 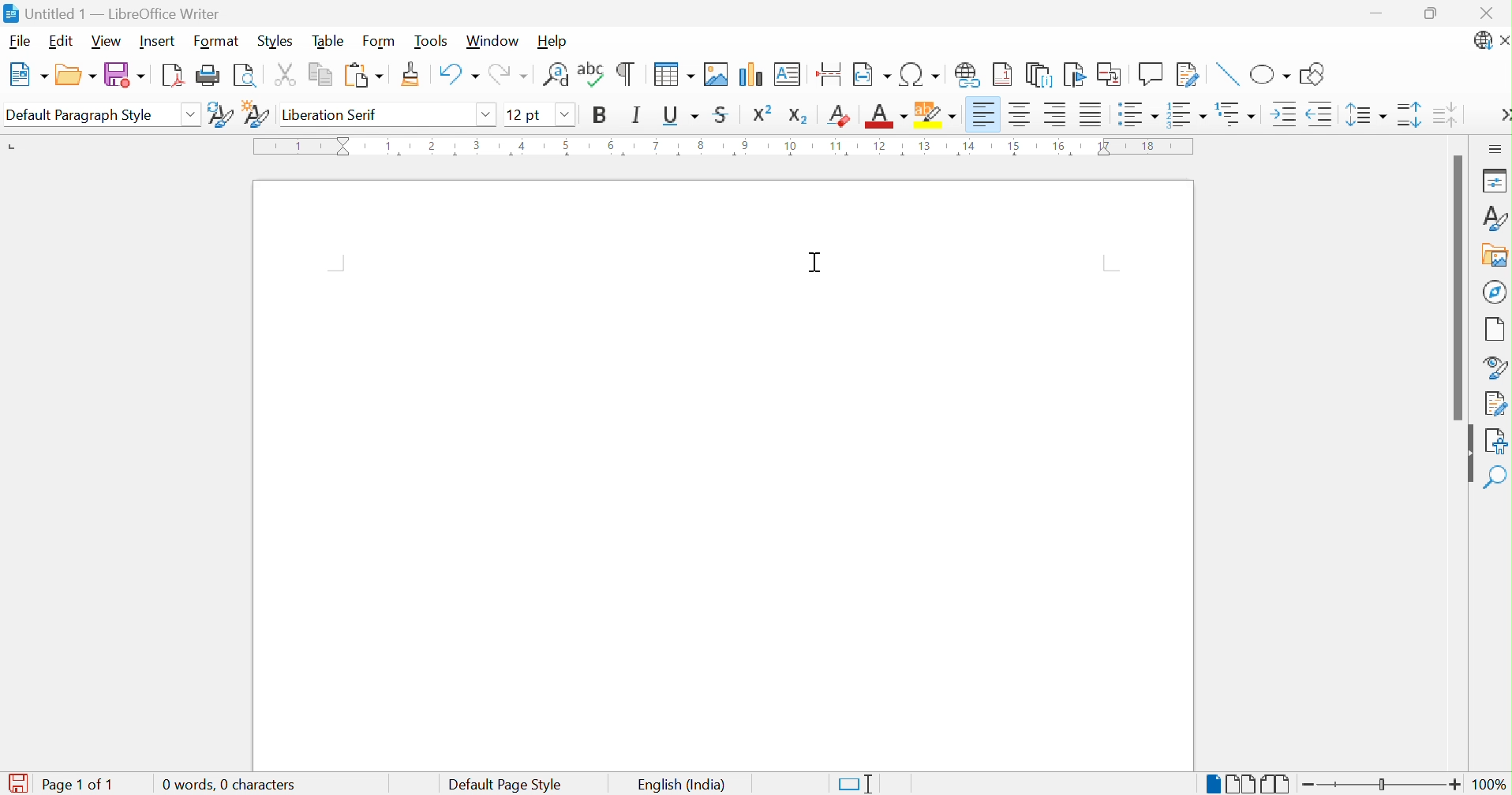 I want to click on File, so click(x=19, y=42).